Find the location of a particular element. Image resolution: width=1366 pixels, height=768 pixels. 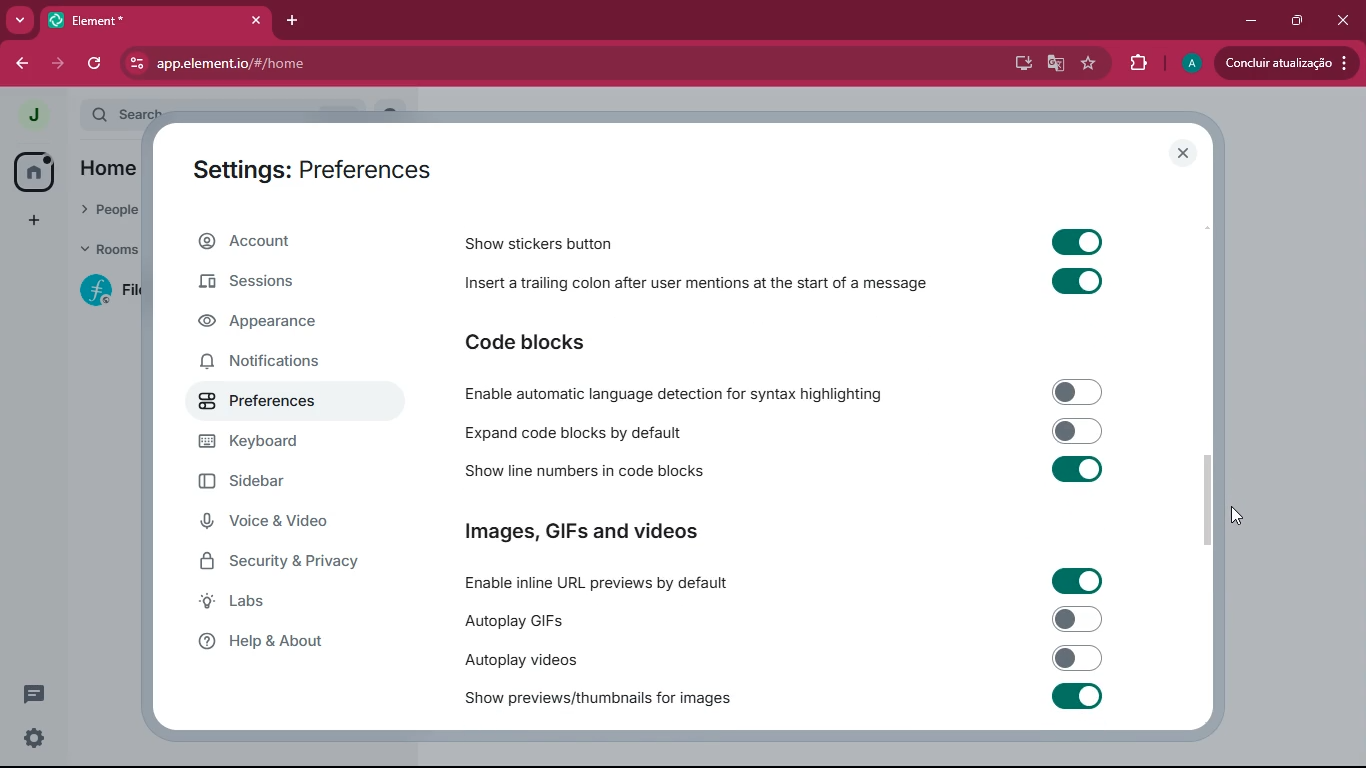

code blocks is located at coordinates (575, 432).